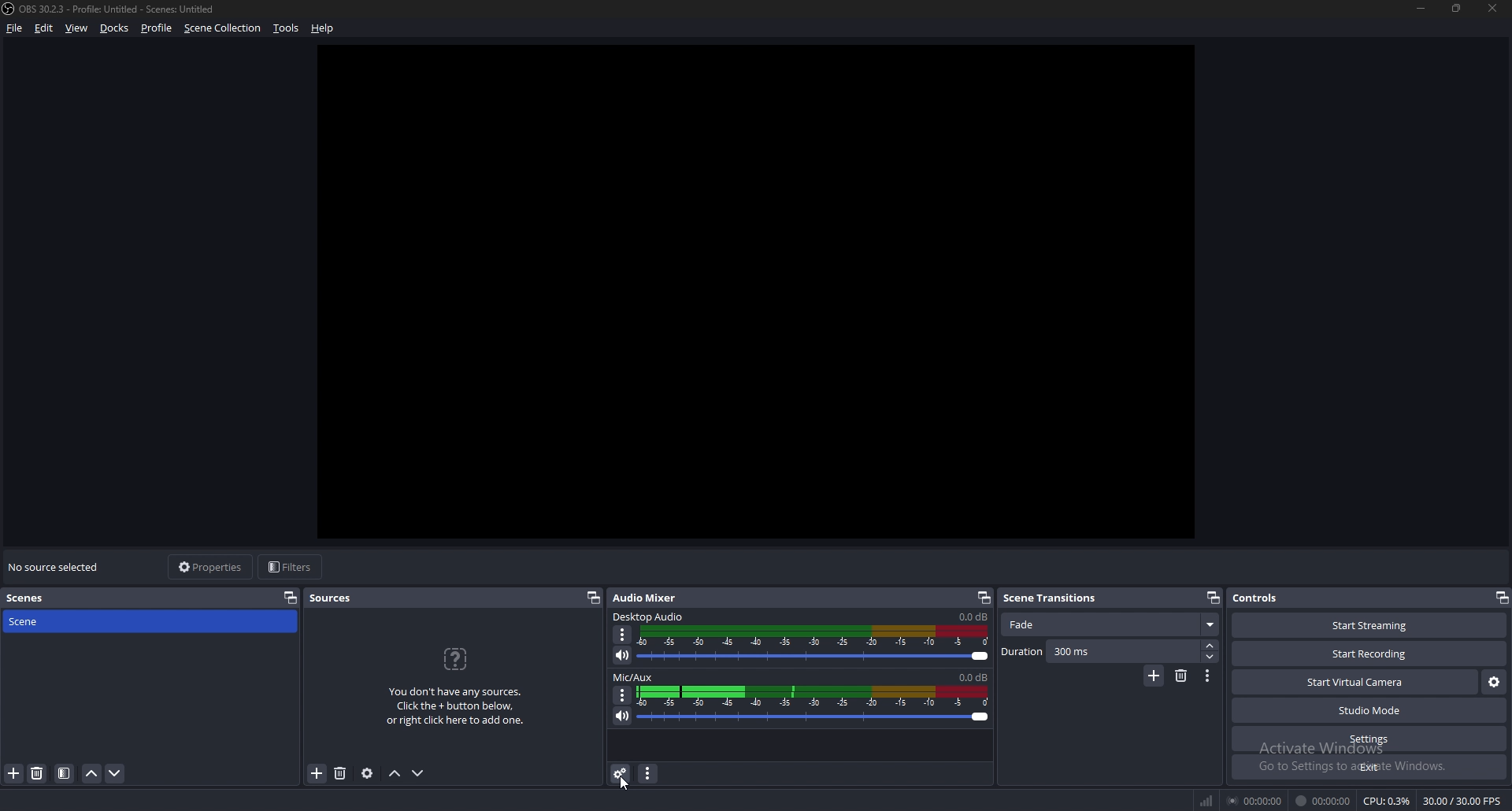 Image resolution: width=1512 pixels, height=811 pixels. Describe the element at coordinates (1459, 9) in the screenshot. I see `resize` at that location.